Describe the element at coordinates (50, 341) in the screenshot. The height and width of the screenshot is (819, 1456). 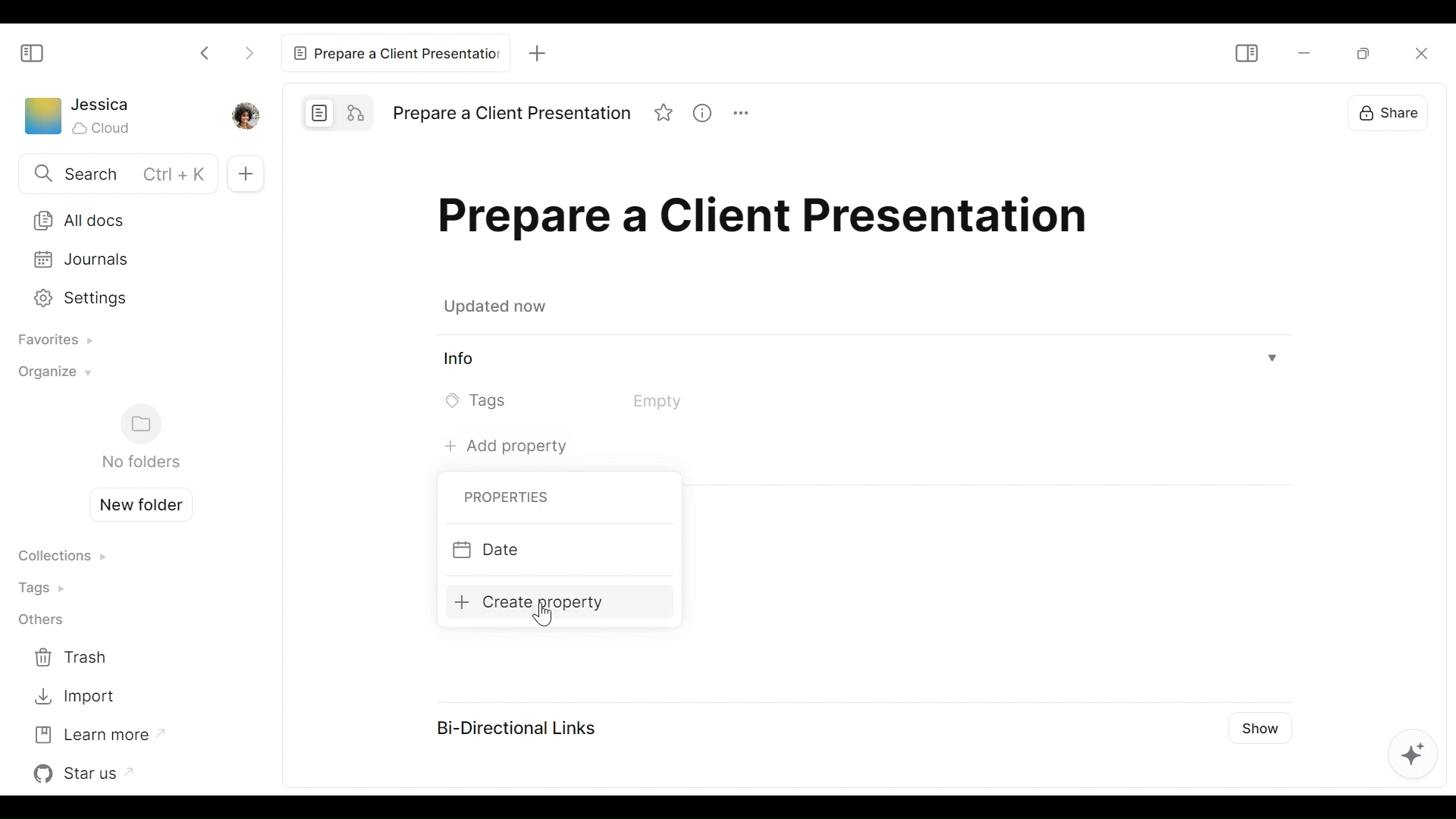
I see `Favorites` at that location.